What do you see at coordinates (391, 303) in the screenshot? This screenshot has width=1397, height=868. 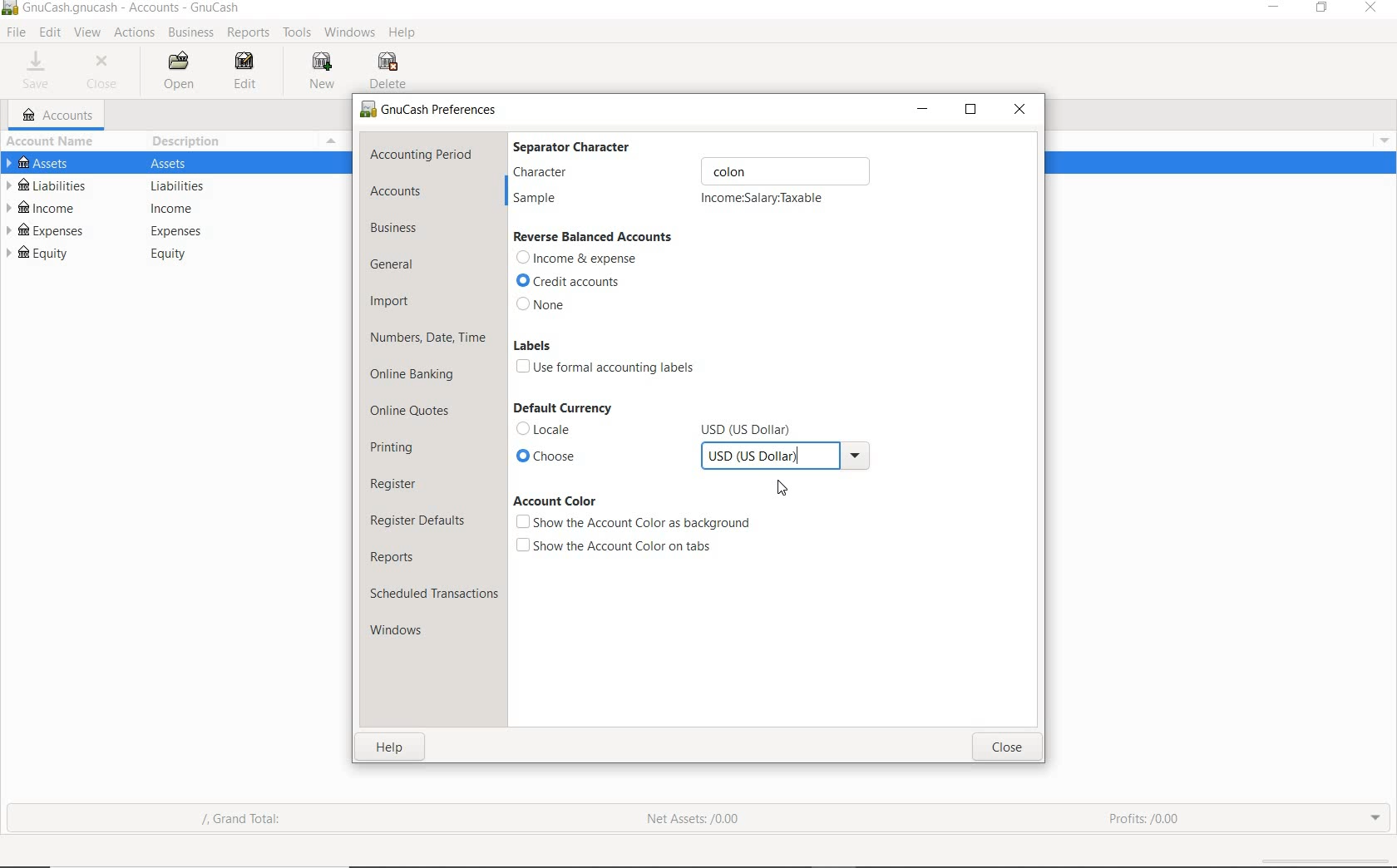 I see `import` at bounding box center [391, 303].